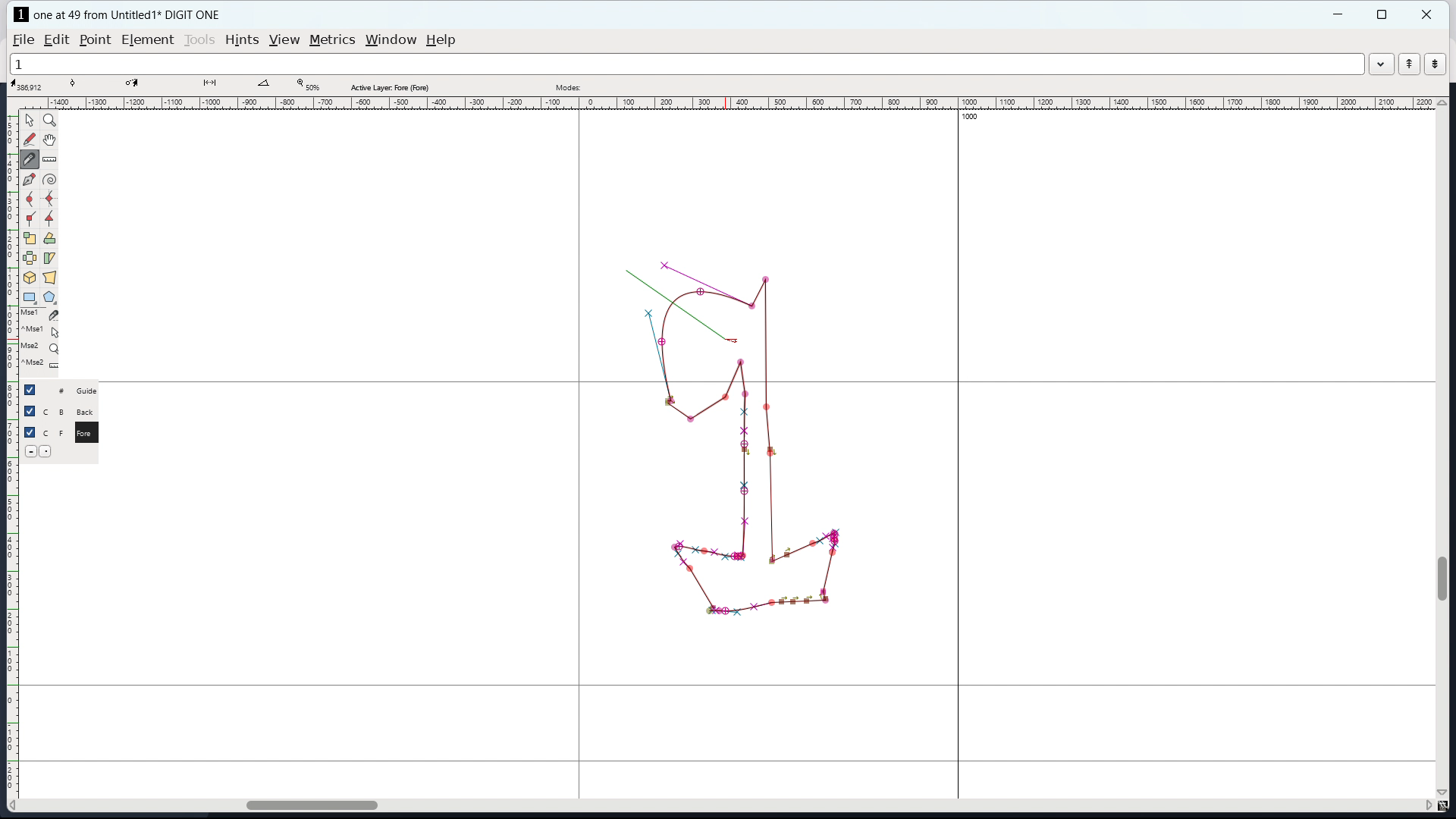 This screenshot has width=1456, height=819. I want to click on scroll by hand, so click(49, 140).